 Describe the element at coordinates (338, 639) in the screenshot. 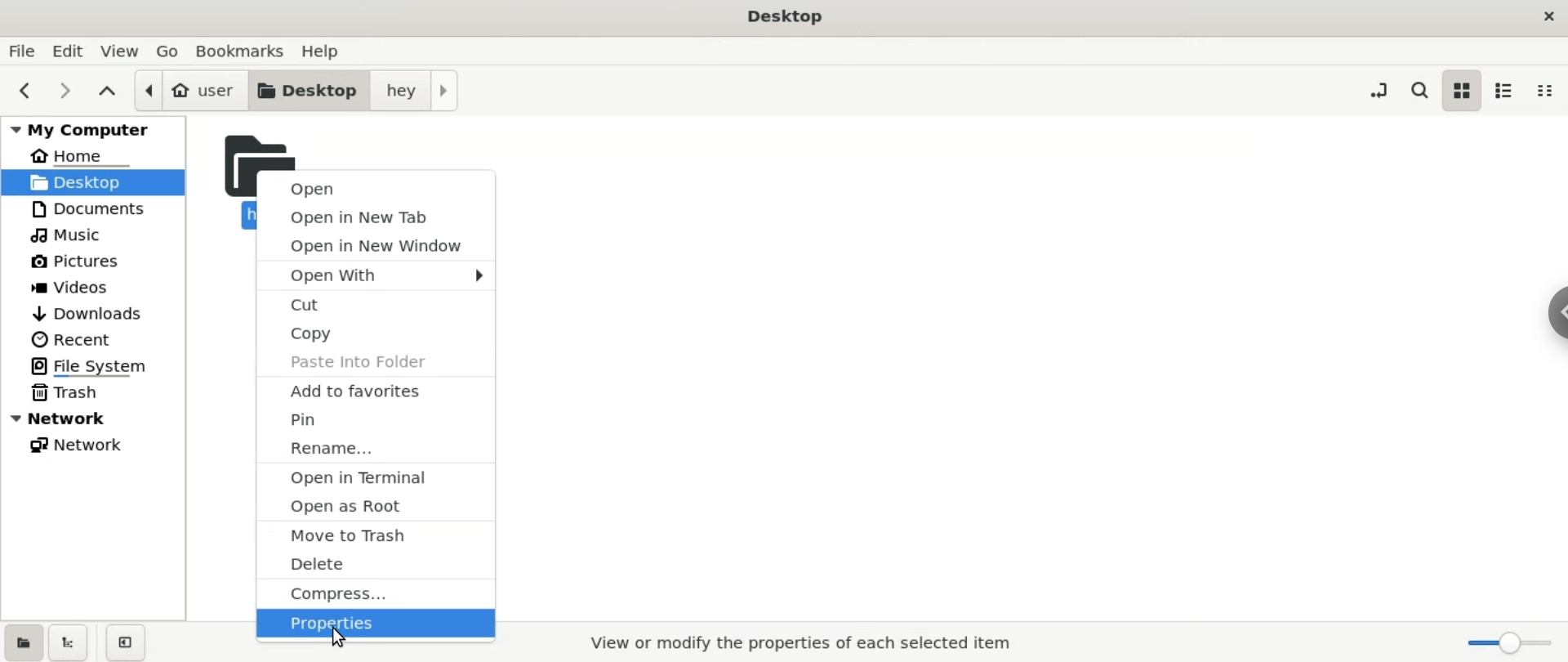

I see `cursor` at that location.